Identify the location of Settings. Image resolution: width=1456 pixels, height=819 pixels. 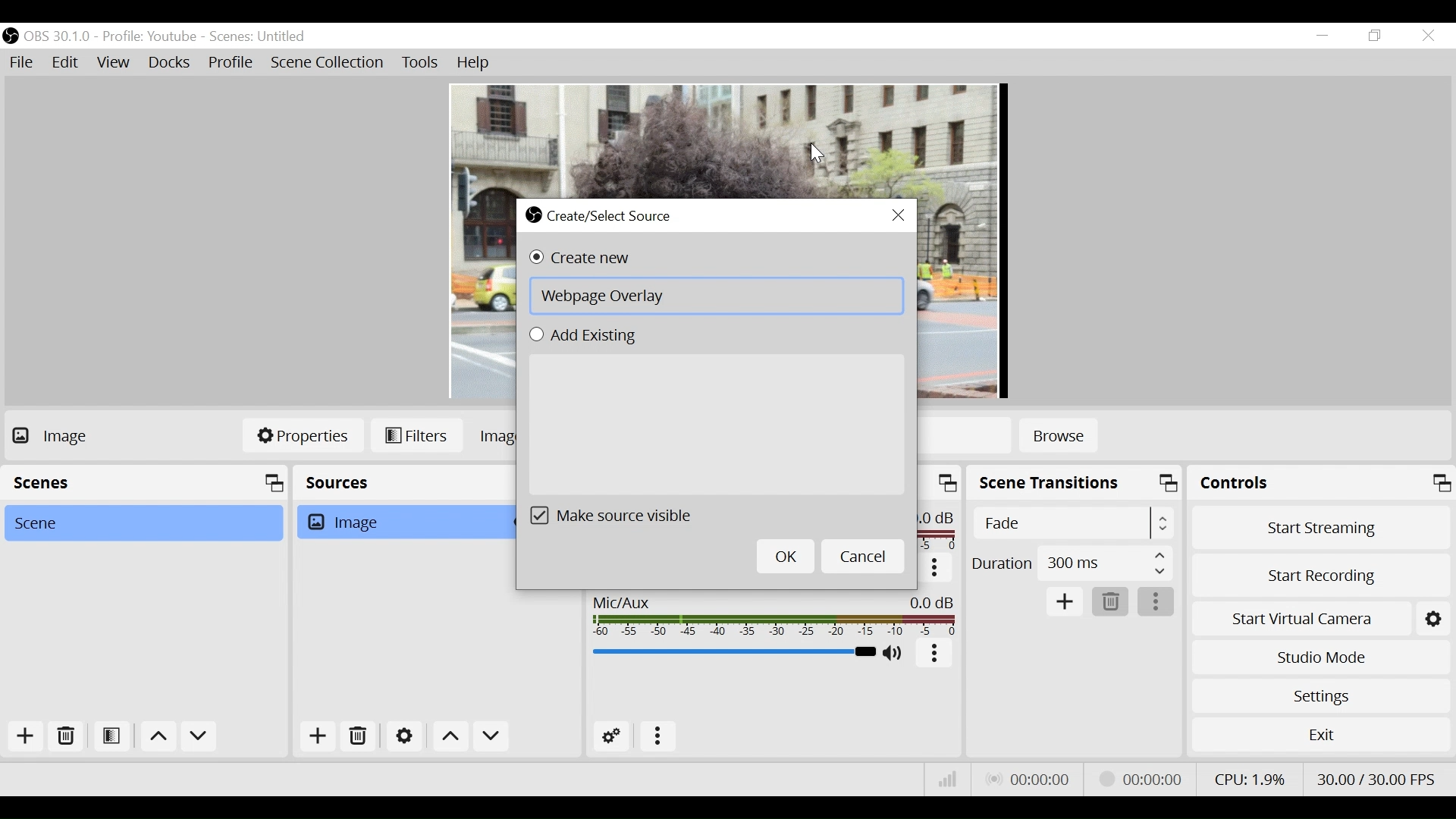
(404, 736).